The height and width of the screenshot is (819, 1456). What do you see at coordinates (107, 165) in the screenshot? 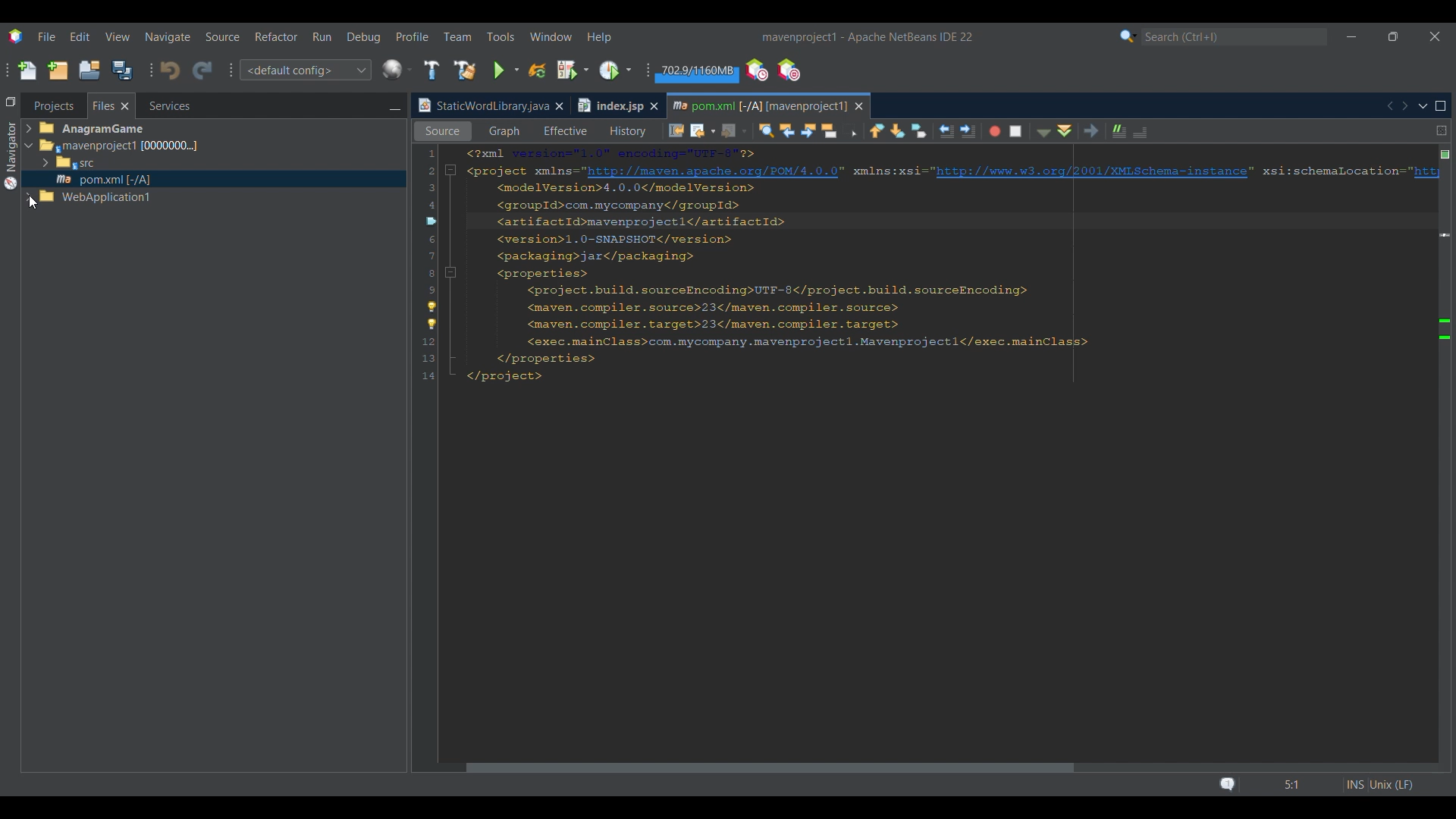
I see `Options under Files tab` at bounding box center [107, 165].